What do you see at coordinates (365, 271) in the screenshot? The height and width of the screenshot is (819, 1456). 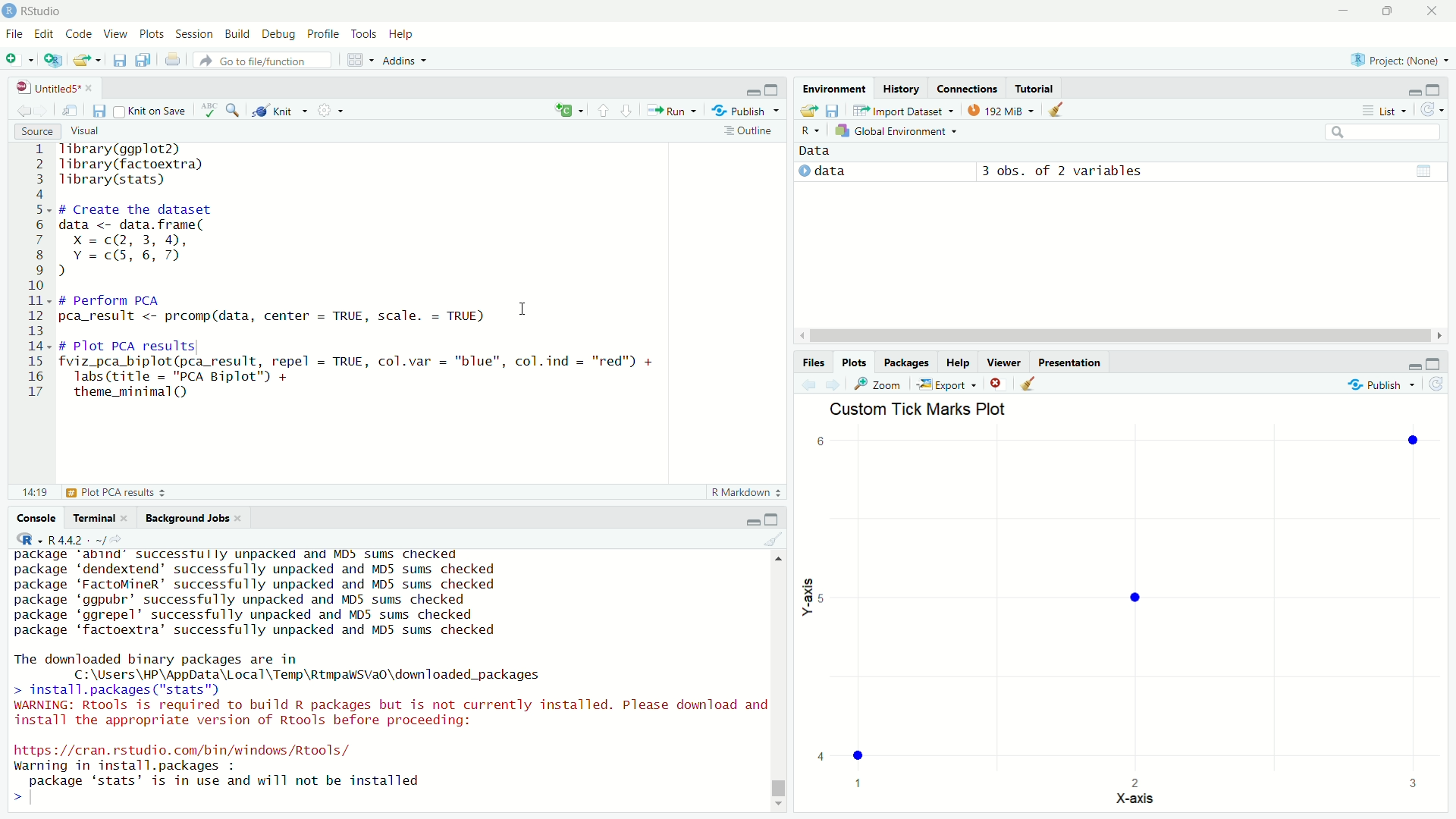 I see `Tibrary(ggplot2)
Tibrary(factoextra)
Tibrary(stats)
# Create the dataset
data <- data. frame(
X =c(2, 3, 4,
Y=c(5,6,7)
)
# perform PCA I
pca_result <- prcomp(data, center = TRUE, scale. = TRUE)
# Plot PCA results|
fviz_pca_biplot(pca_result, repel = TRUE, col.var = "blue", col.ind = "red") +
labs (title = "PCA Biplot") +
theme_minimal()` at bounding box center [365, 271].